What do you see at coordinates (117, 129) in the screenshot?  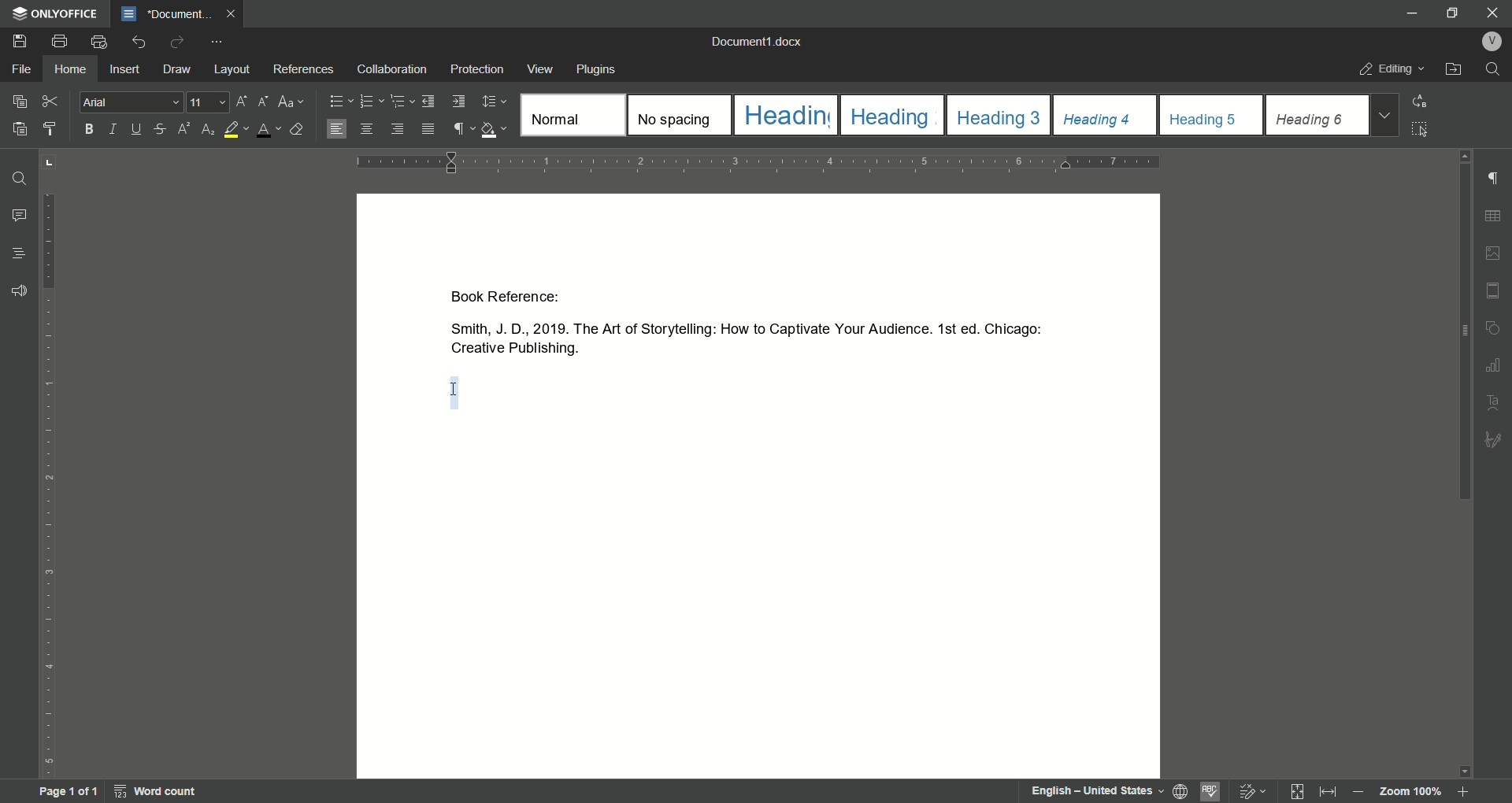 I see `italic` at bounding box center [117, 129].